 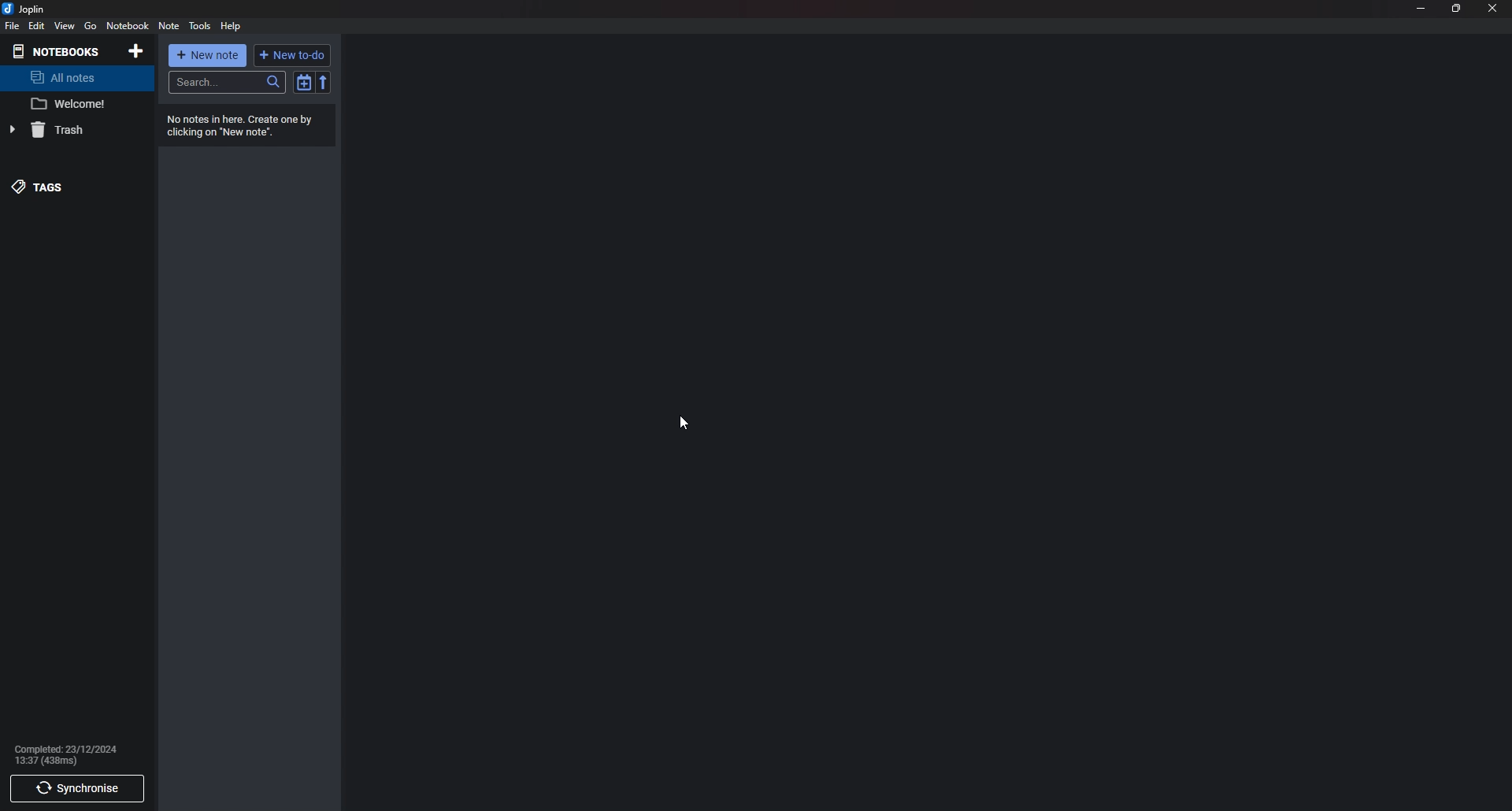 I want to click on Notebooks, so click(x=59, y=52).